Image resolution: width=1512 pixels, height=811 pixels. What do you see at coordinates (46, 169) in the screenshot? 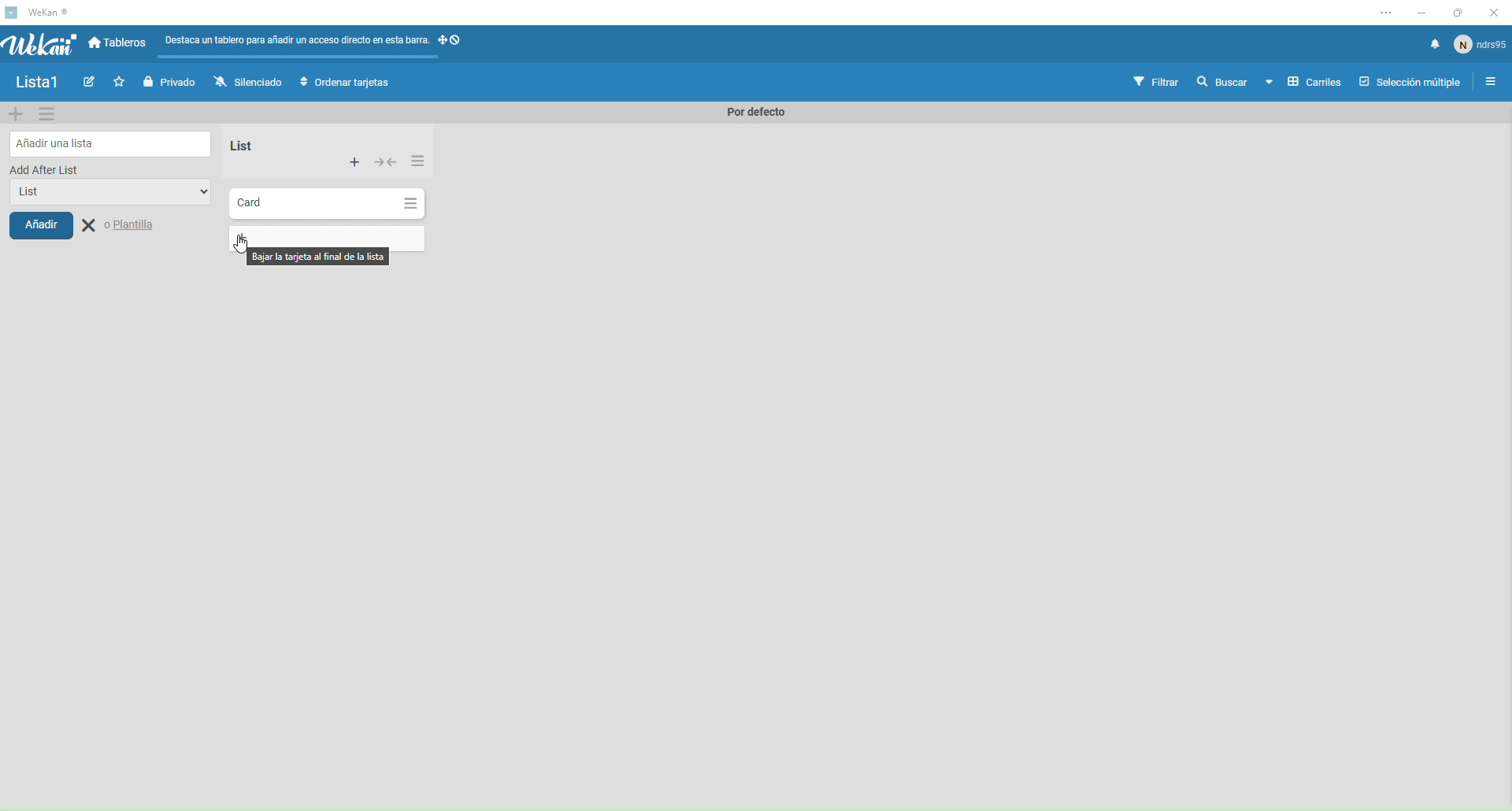
I see `Add after list` at bounding box center [46, 169].